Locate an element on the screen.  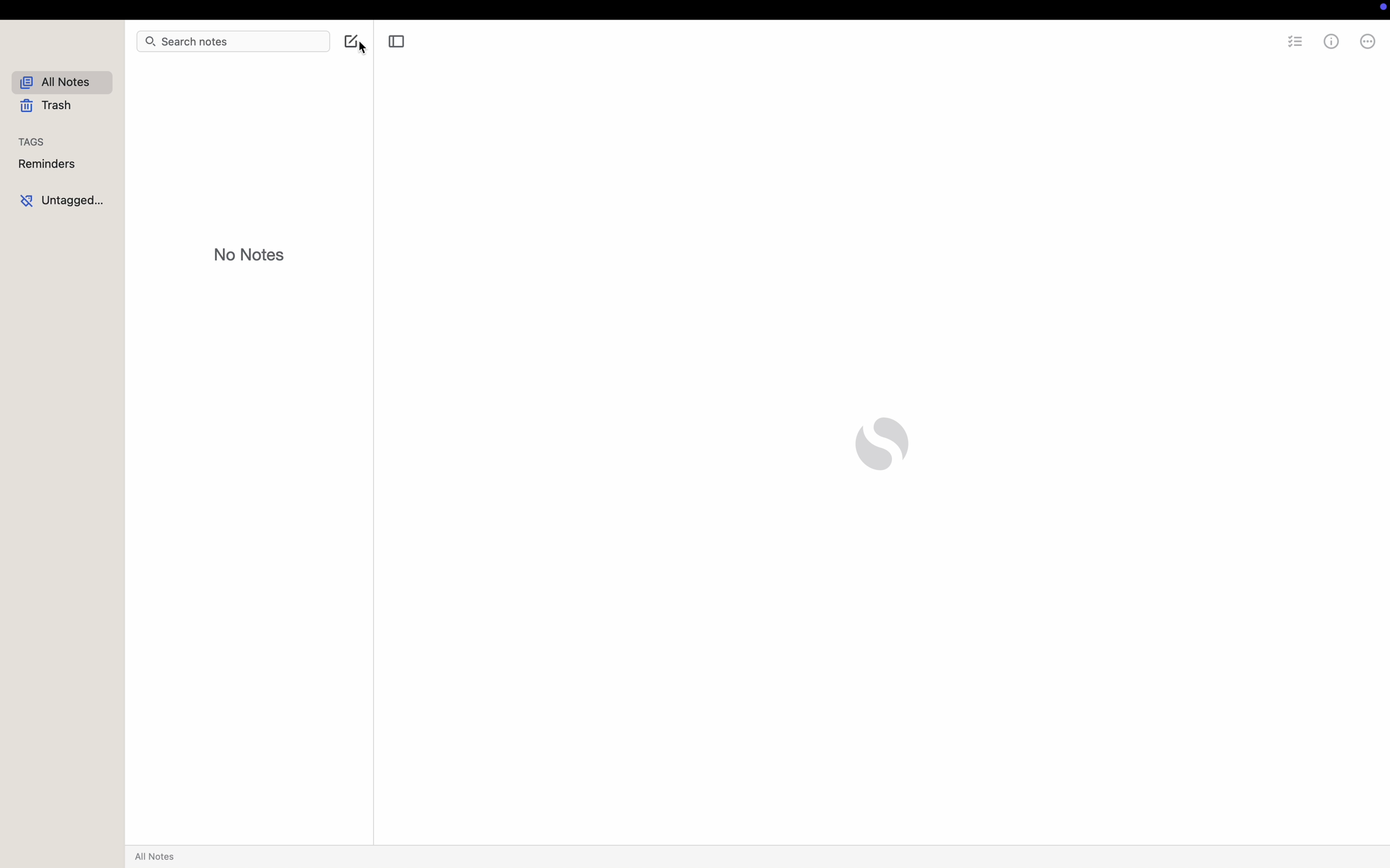
untagged is located at coordinates (61, 199).